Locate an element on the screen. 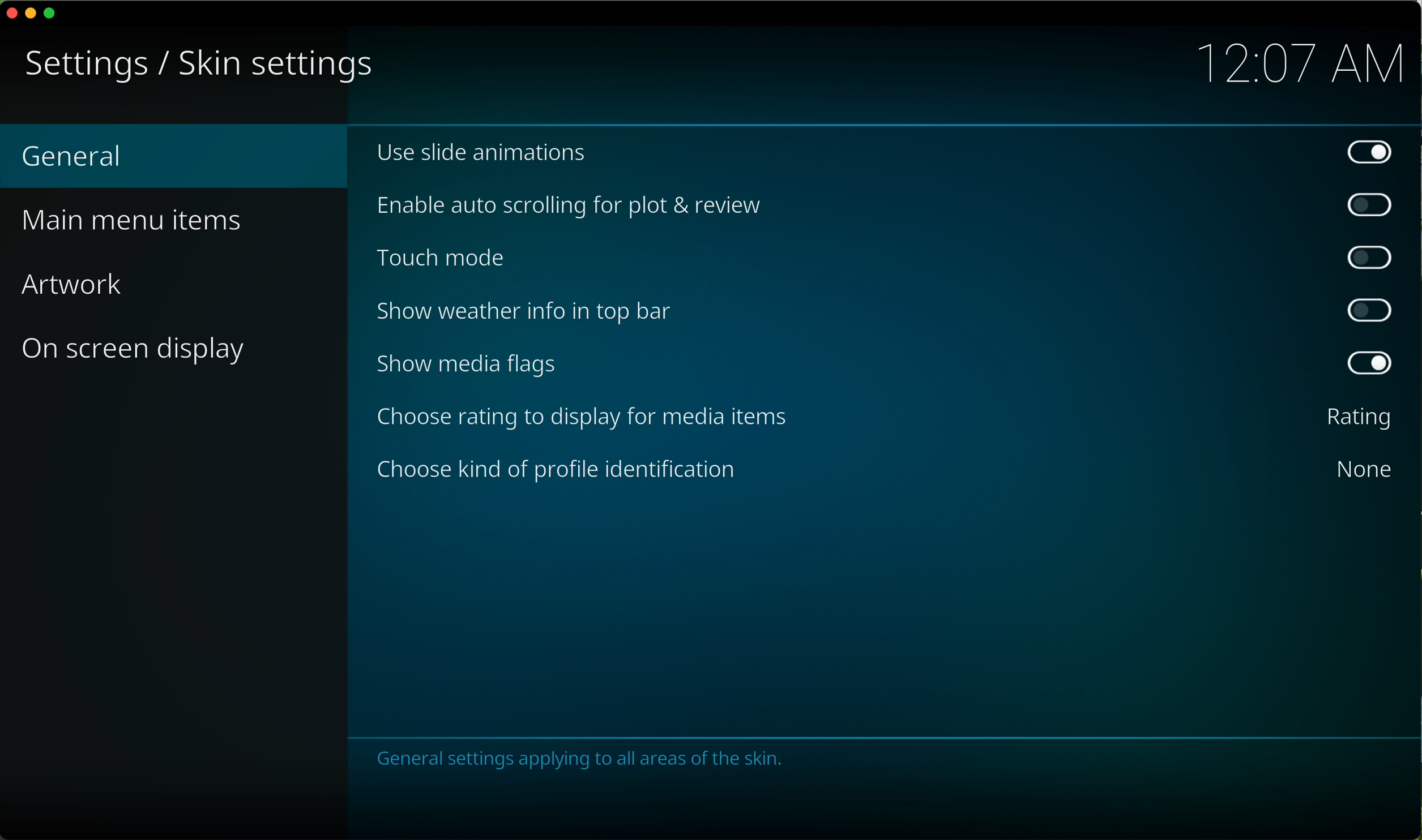 Image resolution: width=1422 pixels, height=840 pixels. skin settings is located at coordinates (194, 63).